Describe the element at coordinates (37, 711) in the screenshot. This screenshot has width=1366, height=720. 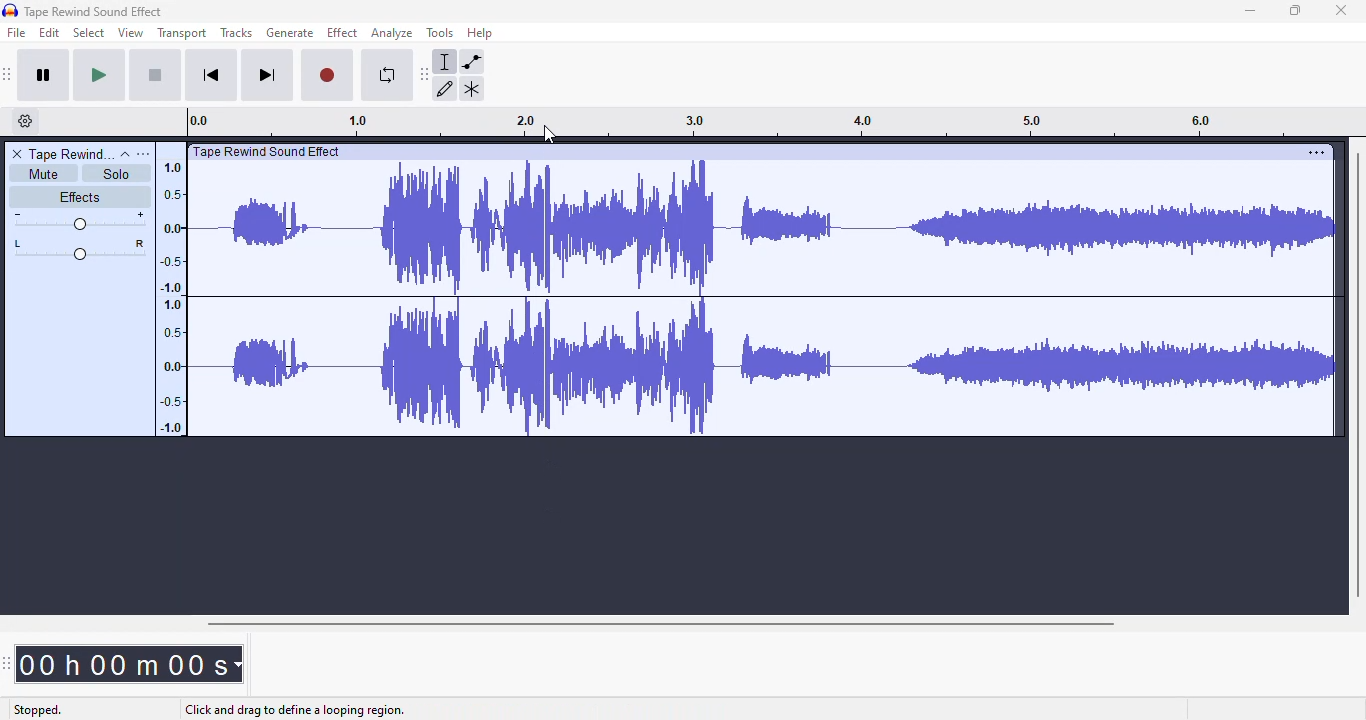
I see `stopped` at that location.